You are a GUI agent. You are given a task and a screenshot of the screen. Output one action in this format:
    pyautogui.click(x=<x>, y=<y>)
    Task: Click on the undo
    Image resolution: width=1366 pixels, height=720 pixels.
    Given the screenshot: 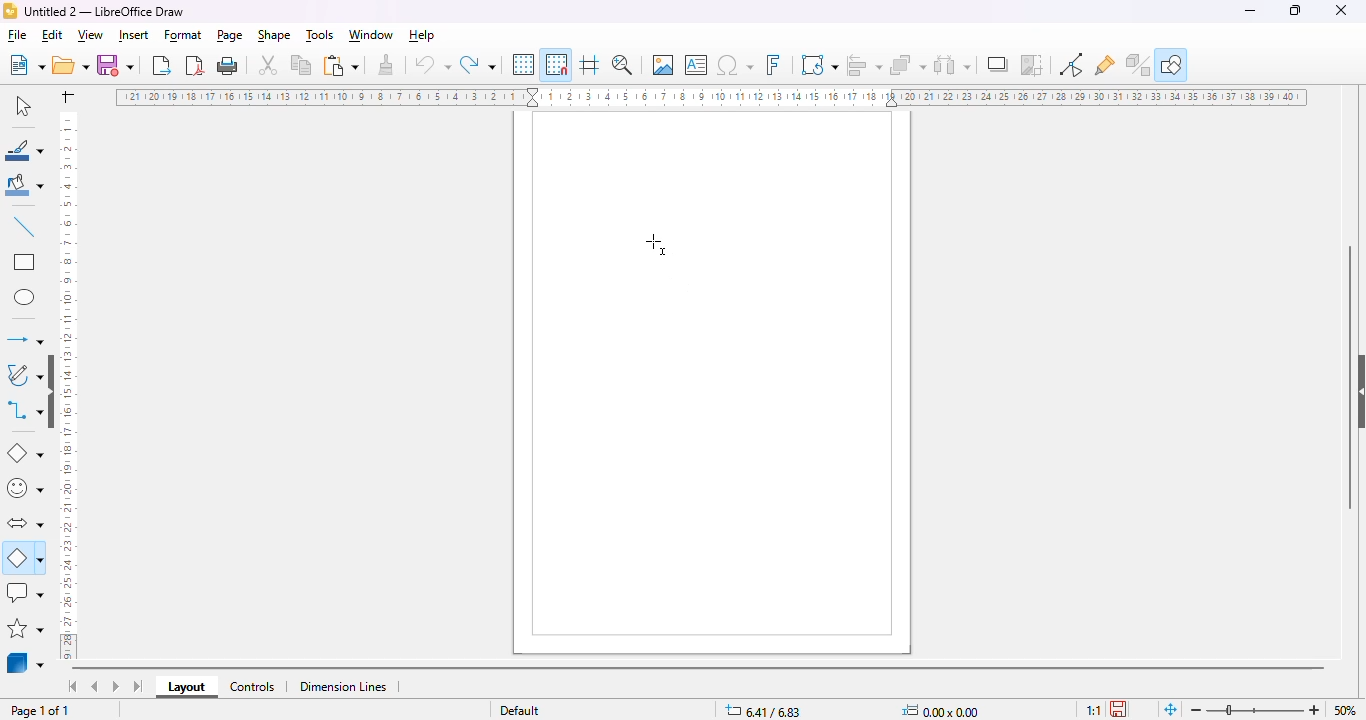 What is the action you would take?
    pyautogui.click(x=432, y=65)
    